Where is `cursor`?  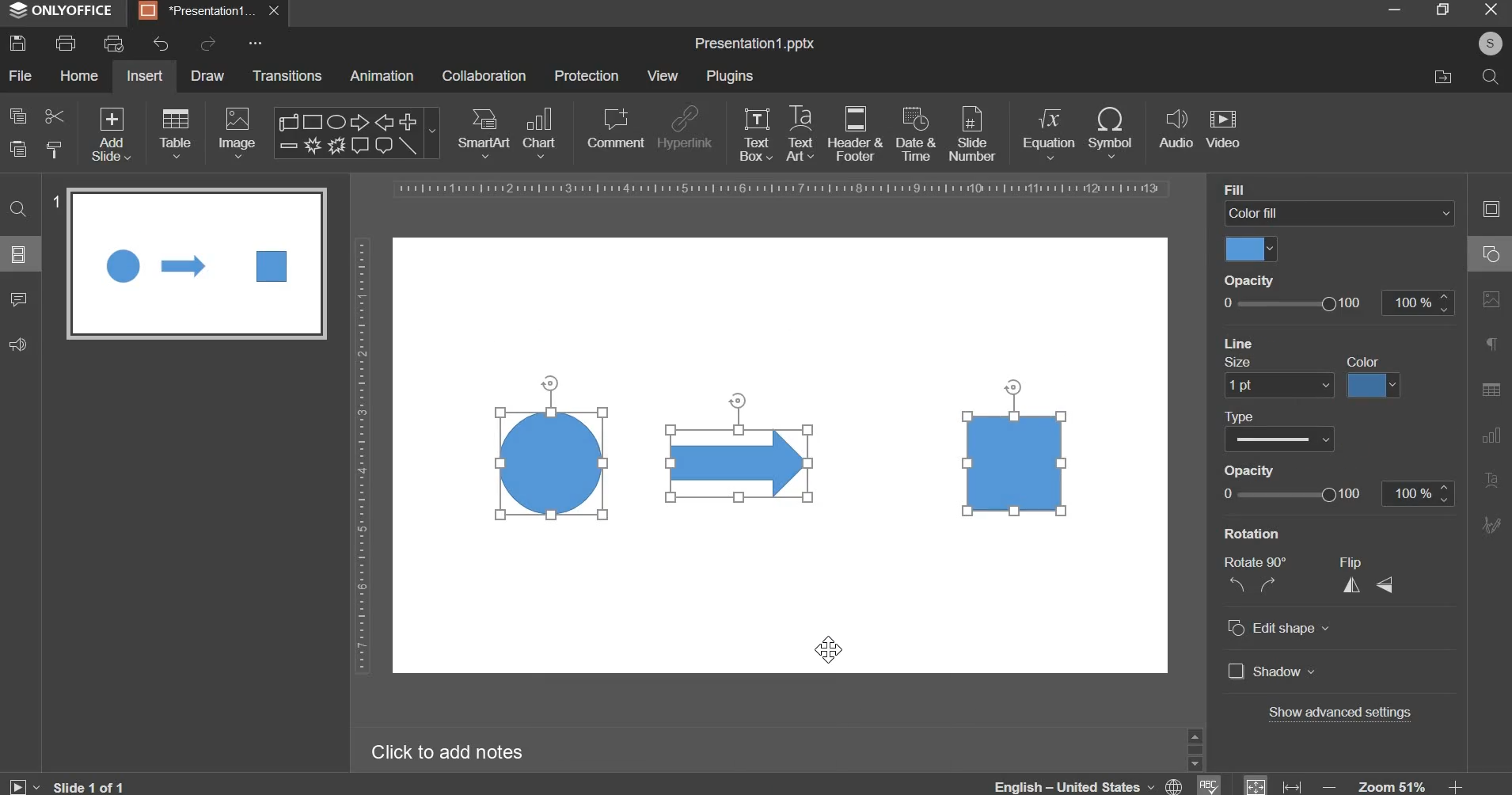 cursor is located at coordinates (830, 649).